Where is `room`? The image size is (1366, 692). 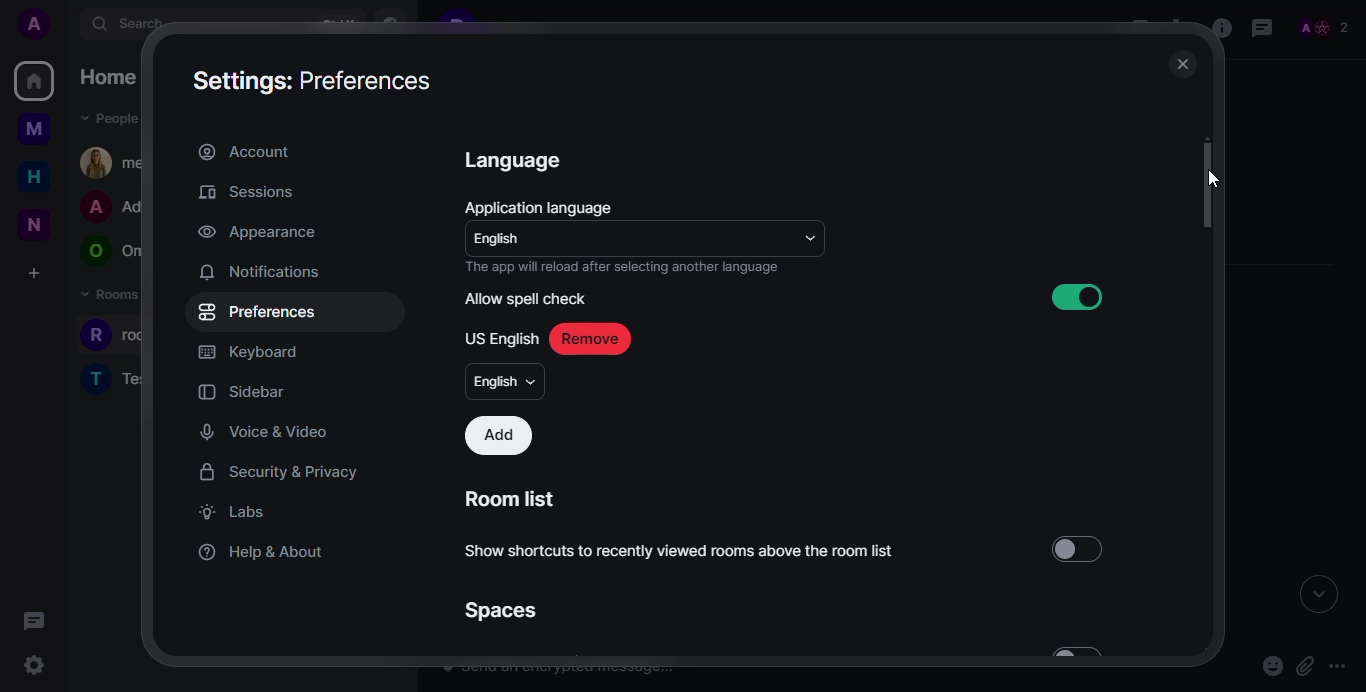 room is located at coordinates (115, 377).